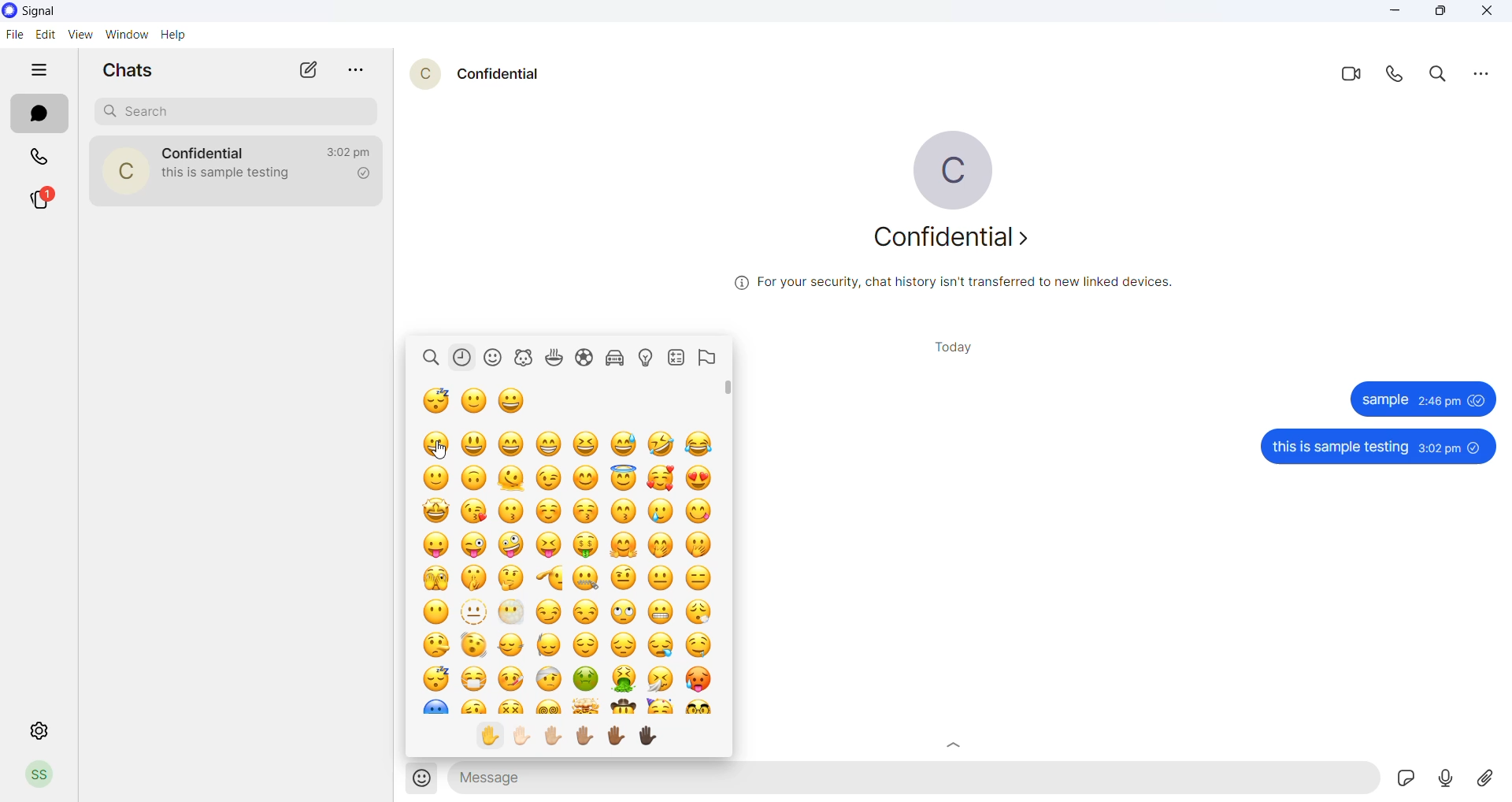 Image resolution: width=1512 pixels, height=802 pixels. I want to click on profile, so click(42, 775).